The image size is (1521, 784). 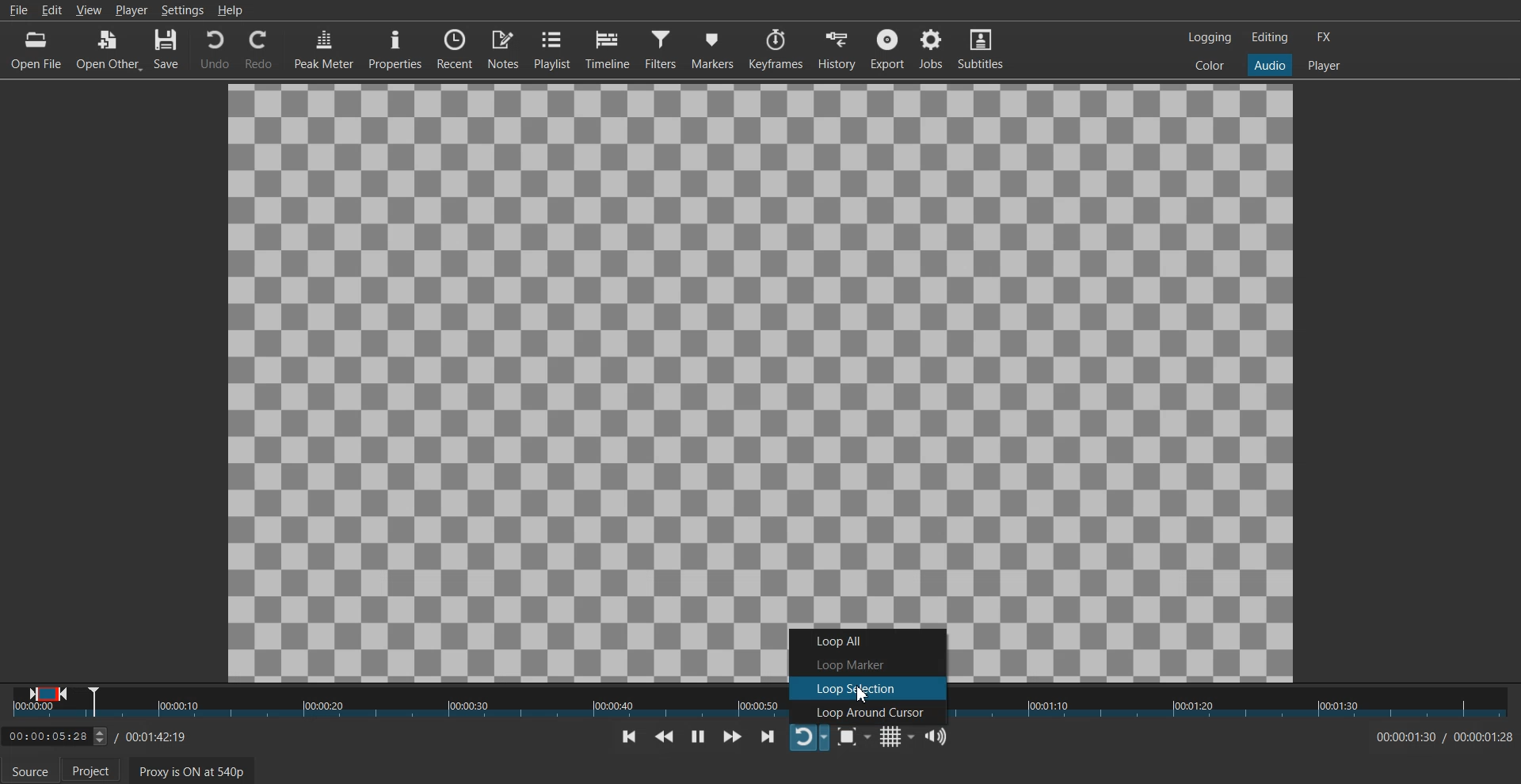 I want to click on File Preview, so click(x=761, y=347).